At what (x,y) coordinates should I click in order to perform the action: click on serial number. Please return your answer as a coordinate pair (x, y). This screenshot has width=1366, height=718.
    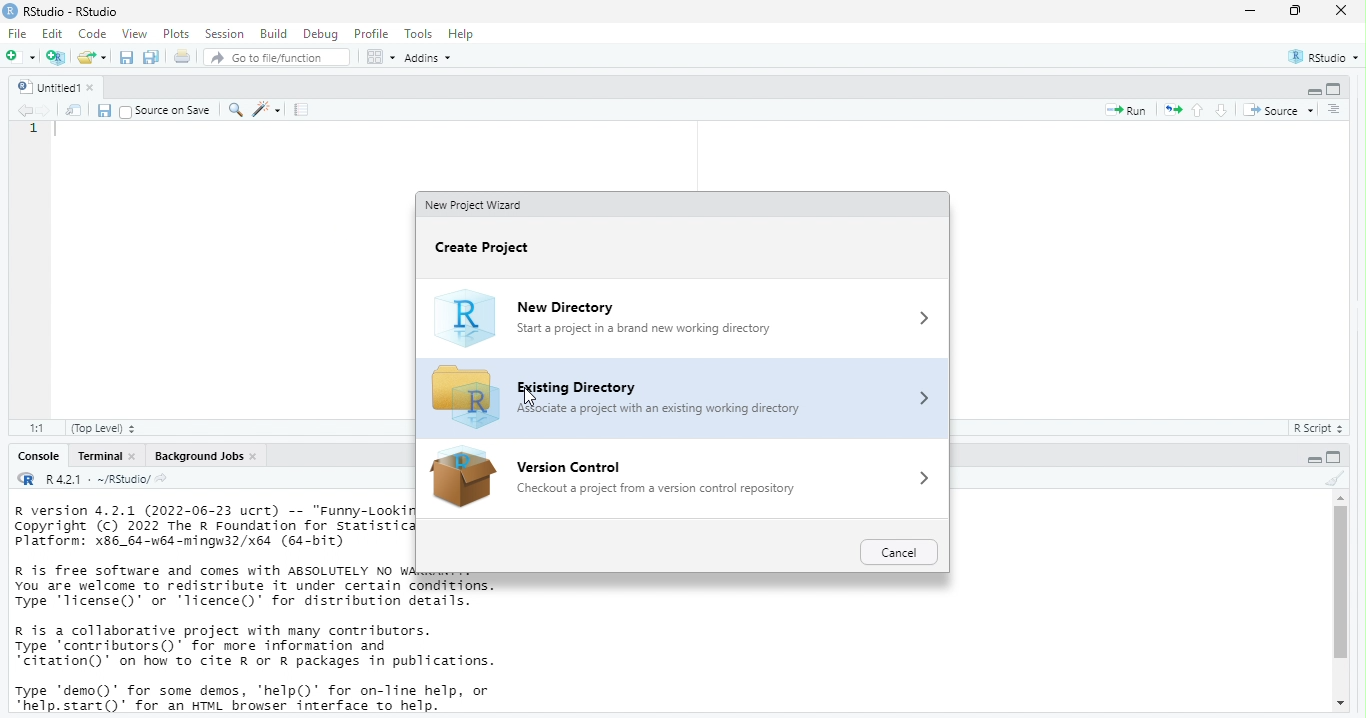
    Looking at the image, I should click on (34, 135).